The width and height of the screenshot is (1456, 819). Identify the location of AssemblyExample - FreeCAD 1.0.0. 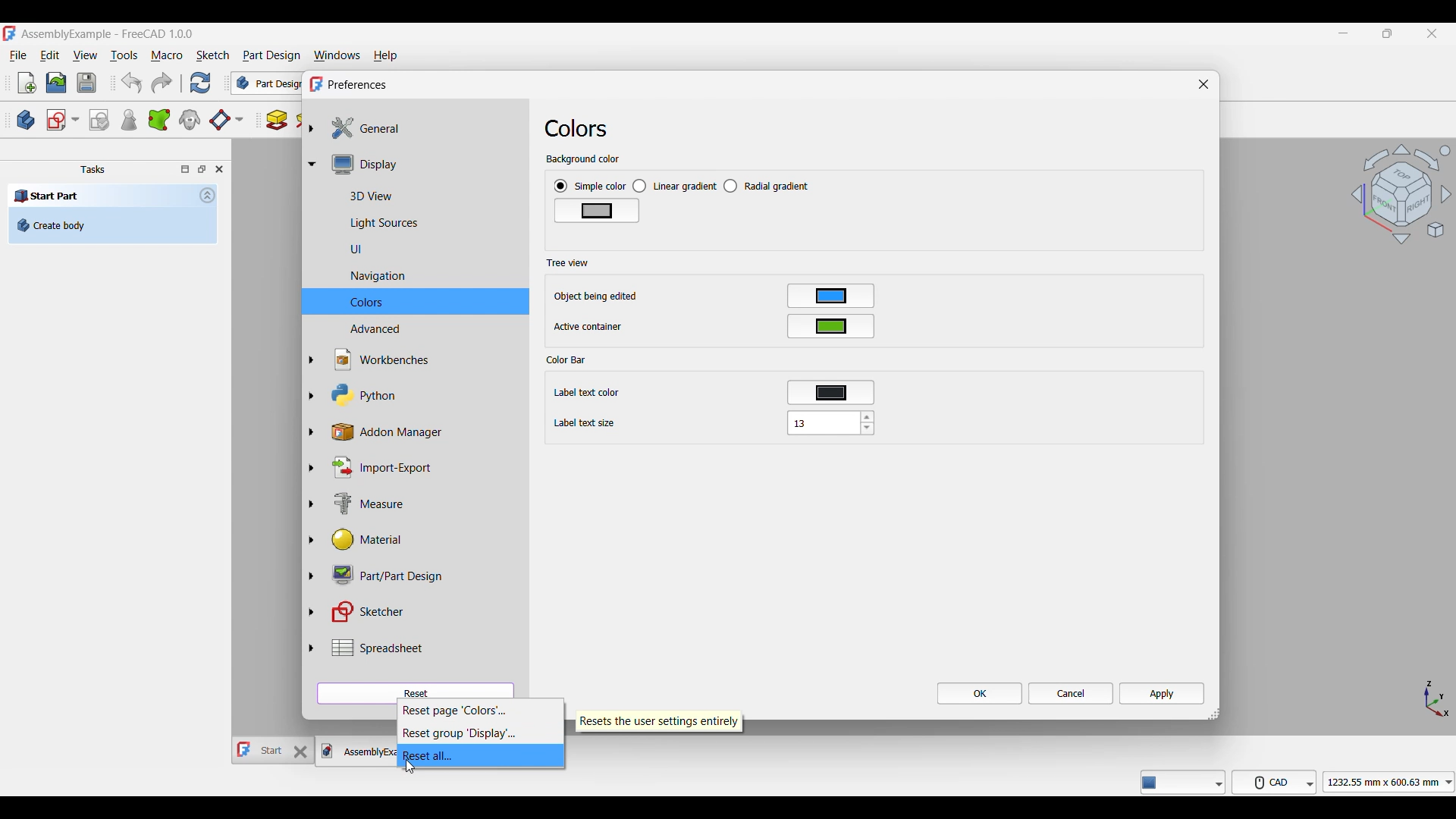
(108, 34).